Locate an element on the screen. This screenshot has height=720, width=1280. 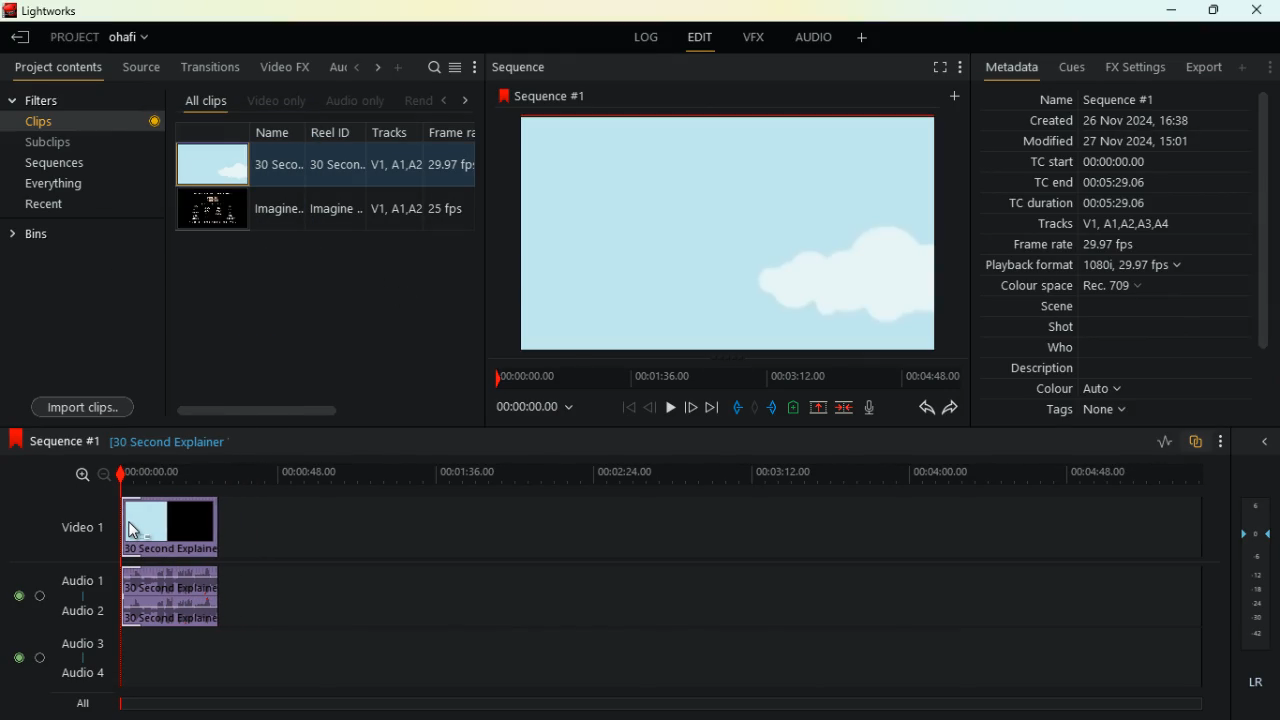
video is located at coordinates (211, 160).